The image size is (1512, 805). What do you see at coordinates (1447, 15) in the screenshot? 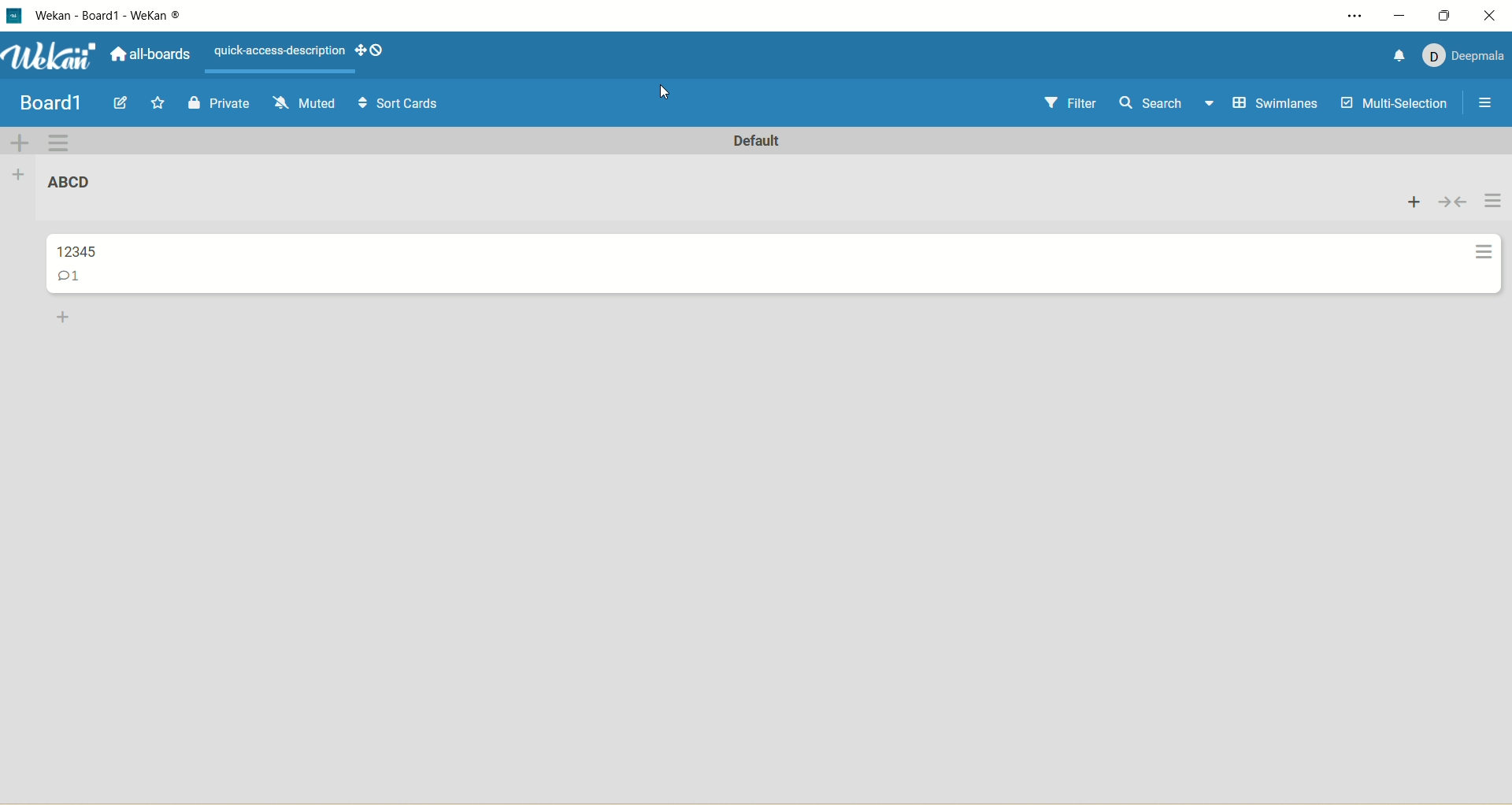
I see `maximize` at bounding box center [1447, 15].